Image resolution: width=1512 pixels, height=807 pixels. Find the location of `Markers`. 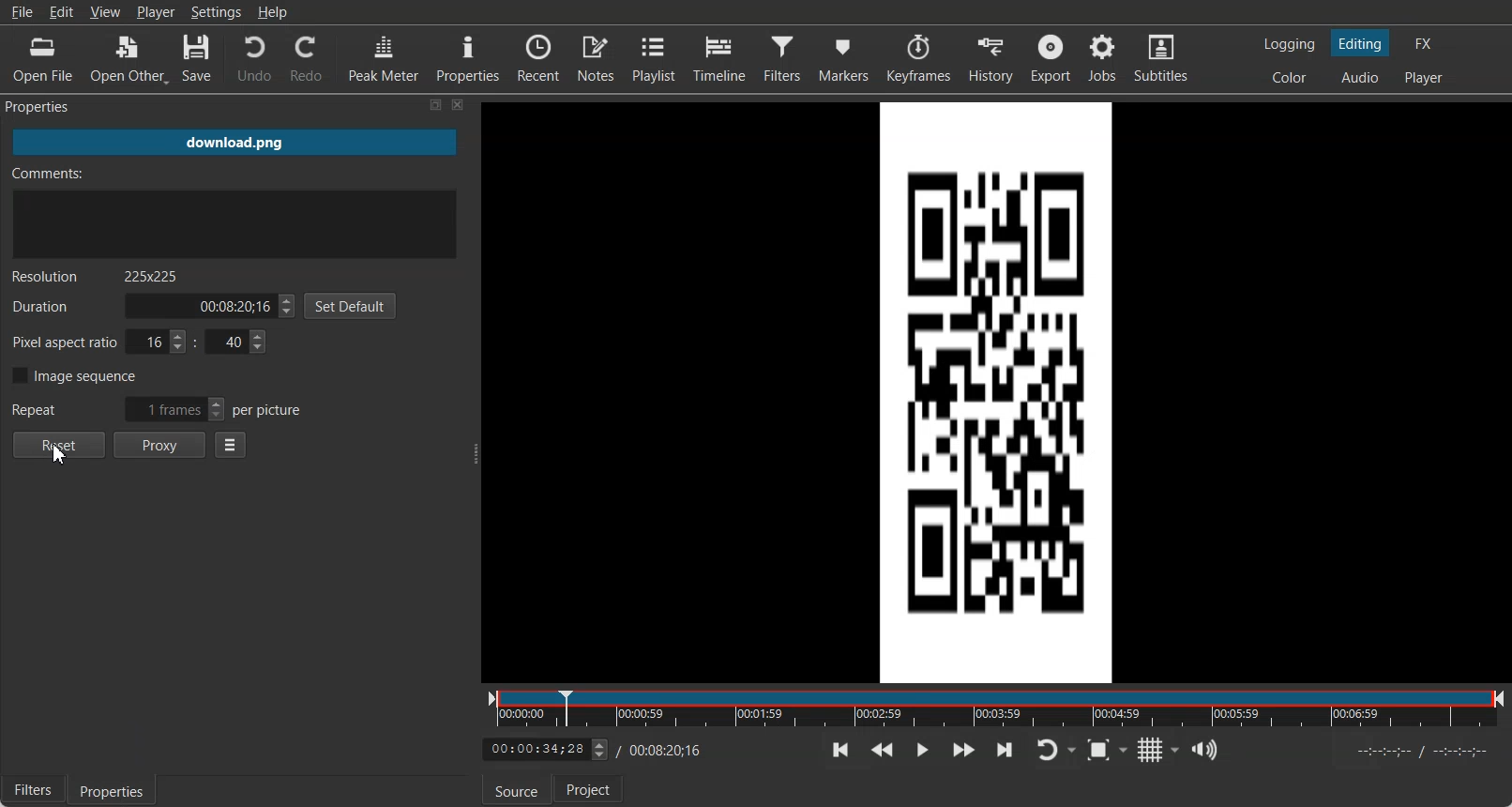

Markers is located at coordinates (843, 58).